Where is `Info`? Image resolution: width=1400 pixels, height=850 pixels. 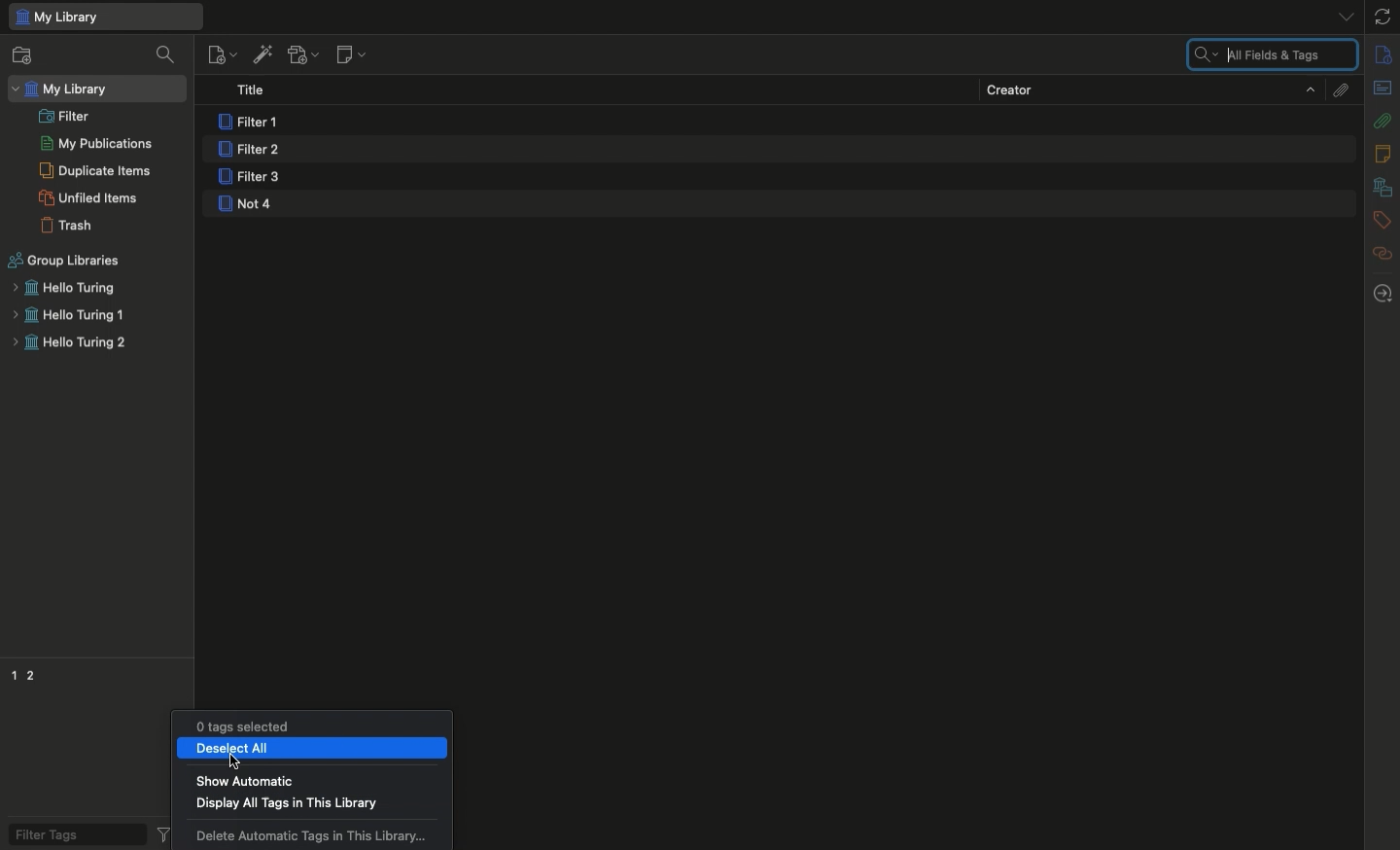
Info is located at coordinates (1384, 55).